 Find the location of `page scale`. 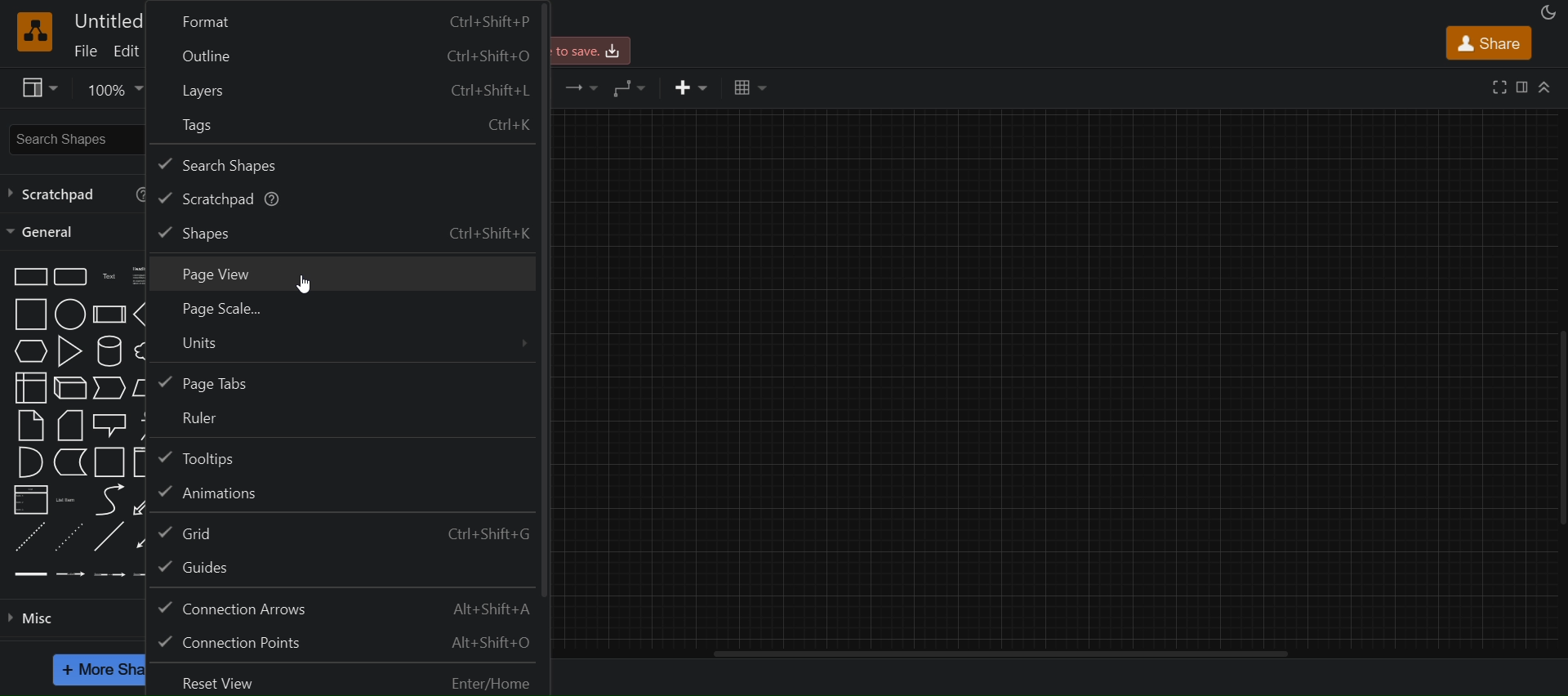

page scale is located at coordinates (345, 310).